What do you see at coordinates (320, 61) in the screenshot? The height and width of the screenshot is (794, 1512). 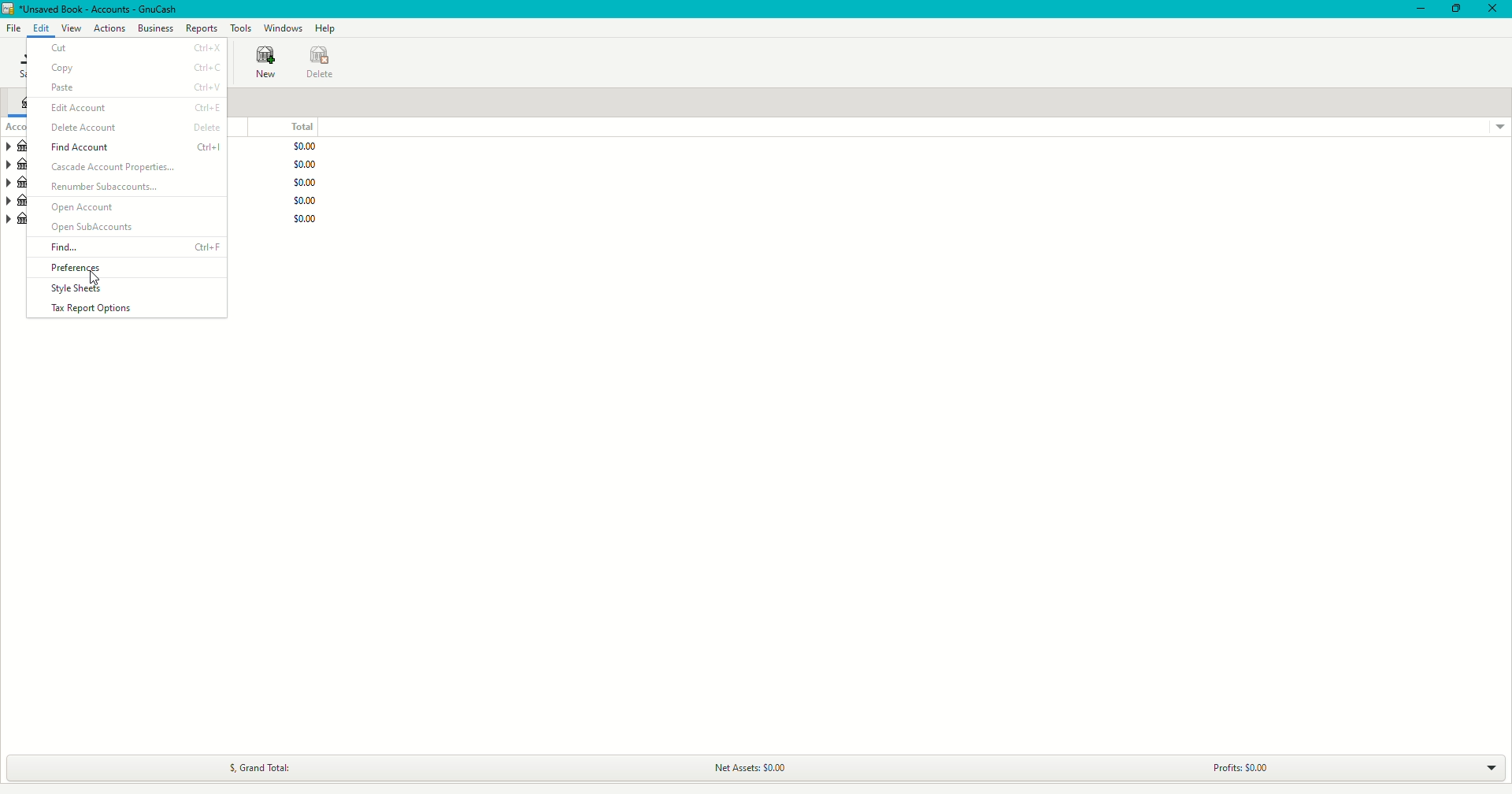 I see `Delete` at bounding box center [320, 61].